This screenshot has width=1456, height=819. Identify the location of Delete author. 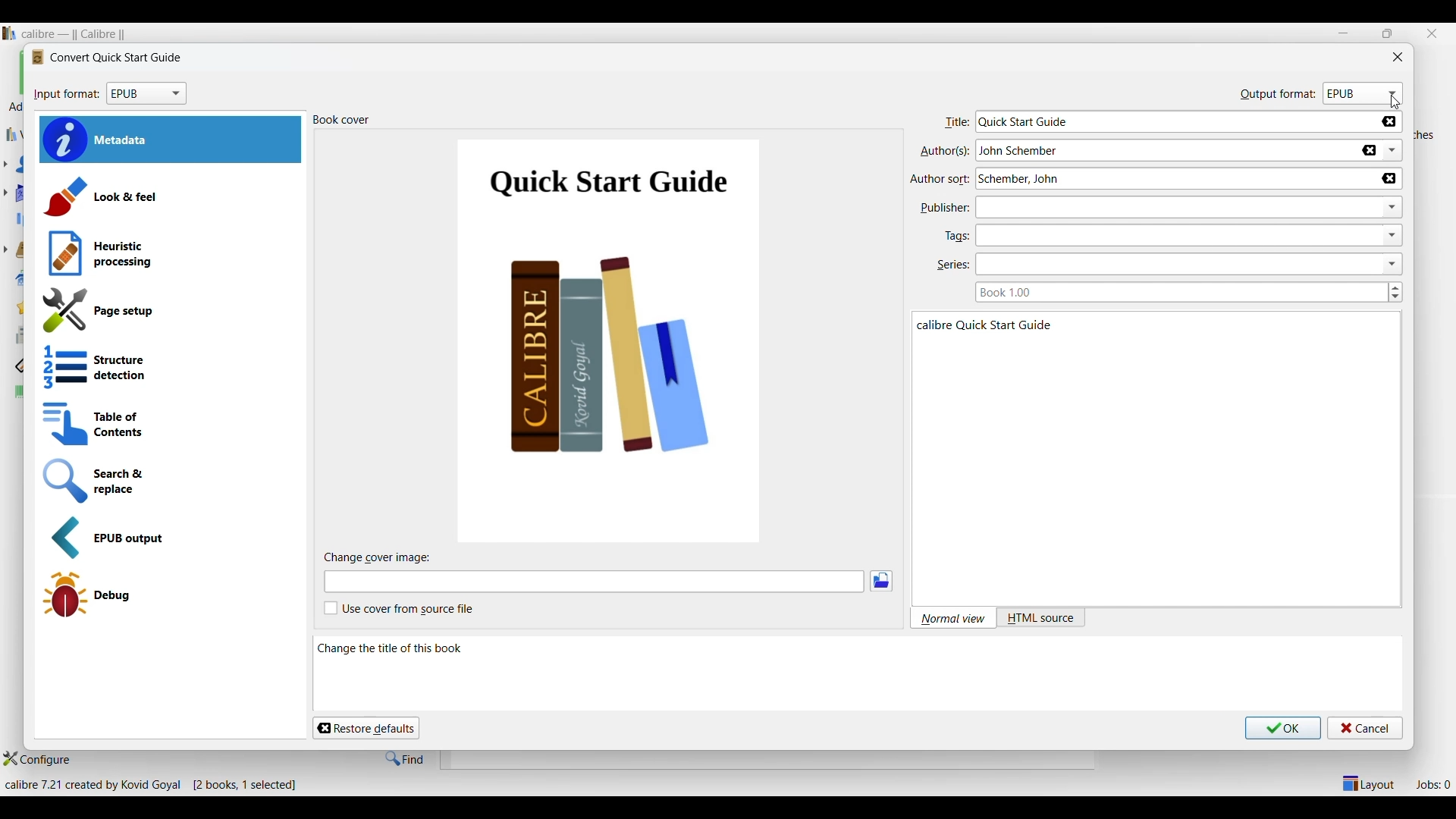
(1389, 178).